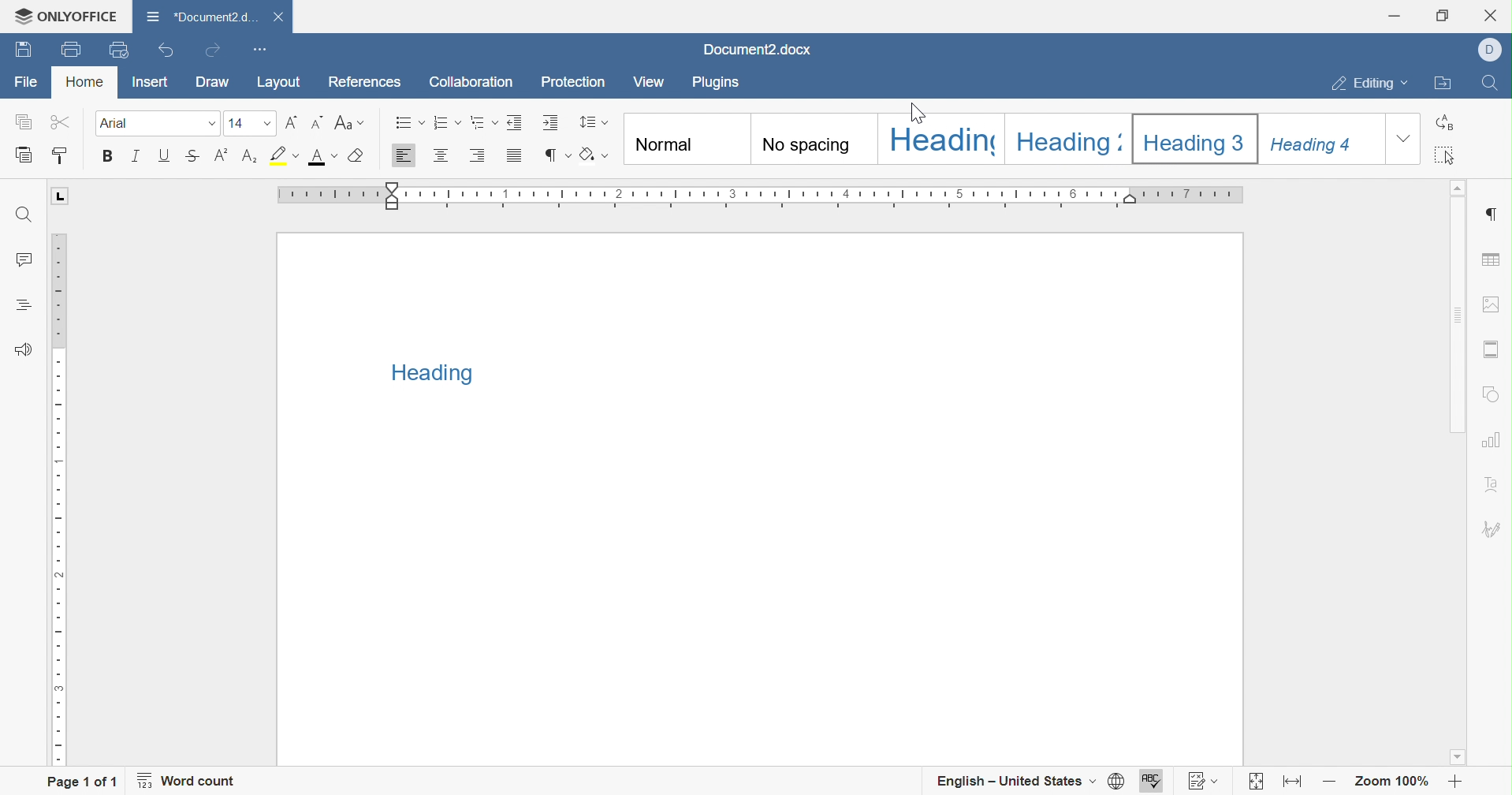  Describe the element at coordinates (1494, 259) in the screenshot. I see `Table settings` at that location.